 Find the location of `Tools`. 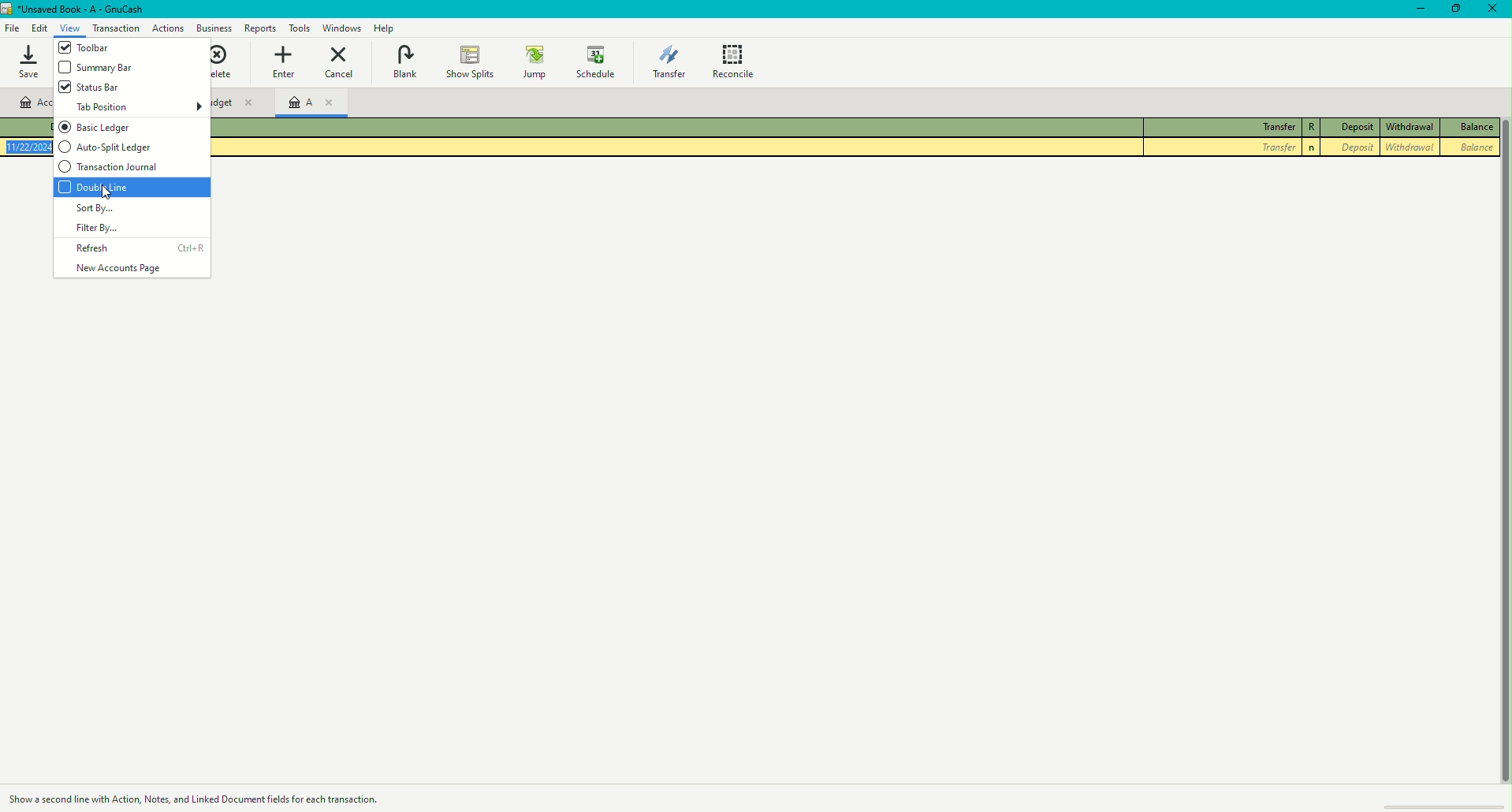

Tools is located at coordinates (299, 27).